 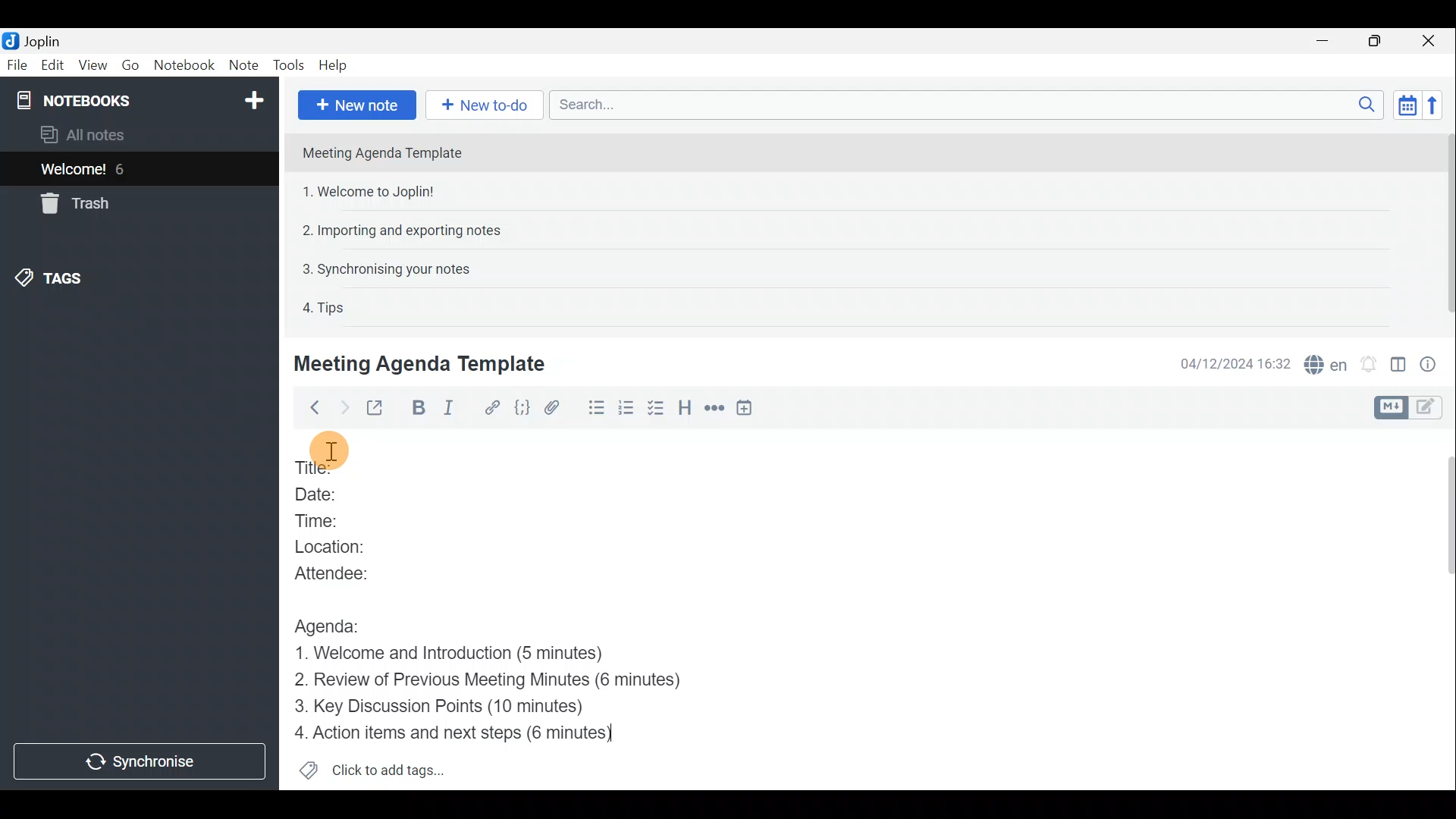 I want to click on Horizontal rule, so click(x=716, y=410).